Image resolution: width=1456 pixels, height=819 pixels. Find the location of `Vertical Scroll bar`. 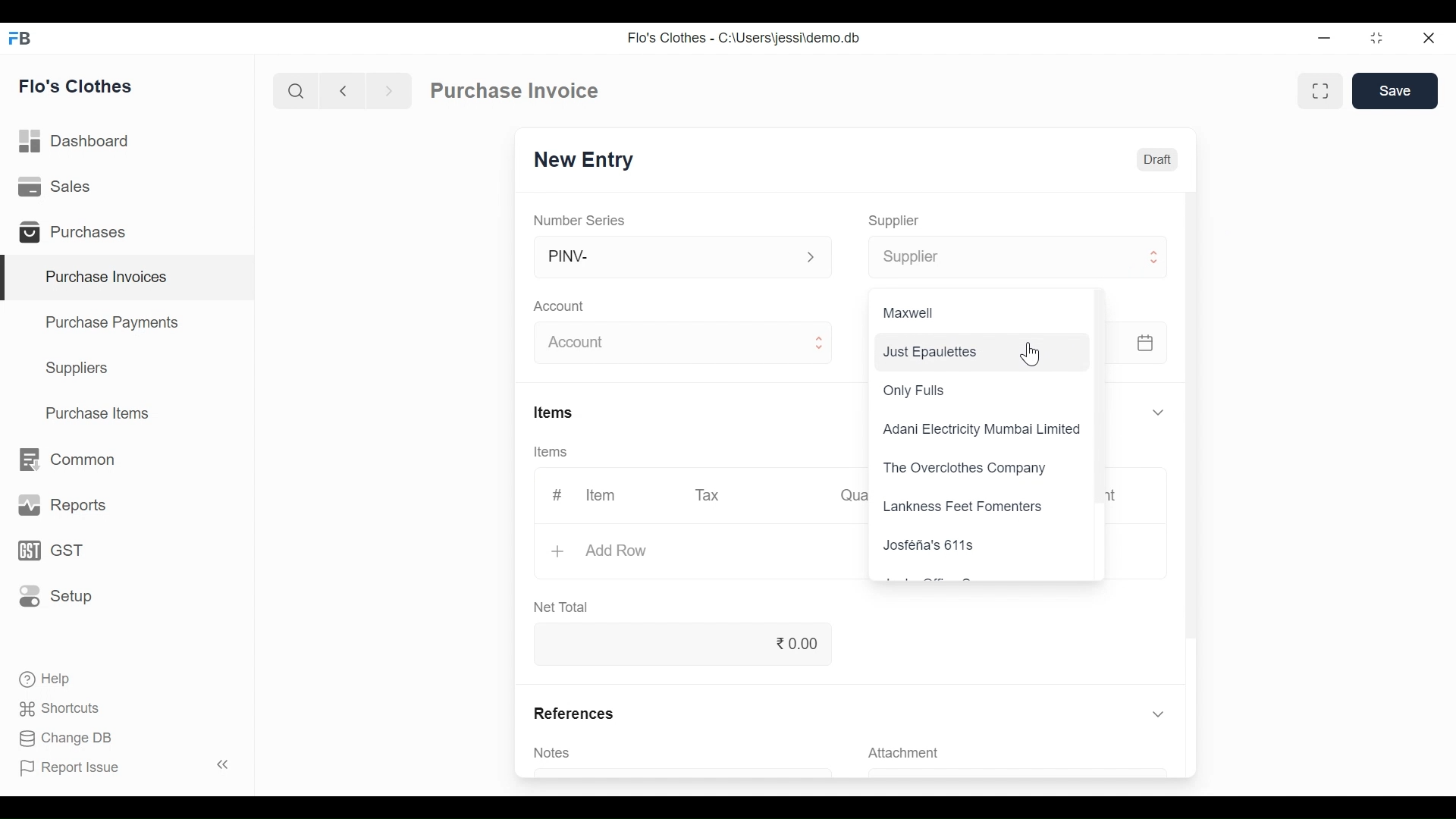

Vertical Scroll bar is located at coordinates (1197, 416).